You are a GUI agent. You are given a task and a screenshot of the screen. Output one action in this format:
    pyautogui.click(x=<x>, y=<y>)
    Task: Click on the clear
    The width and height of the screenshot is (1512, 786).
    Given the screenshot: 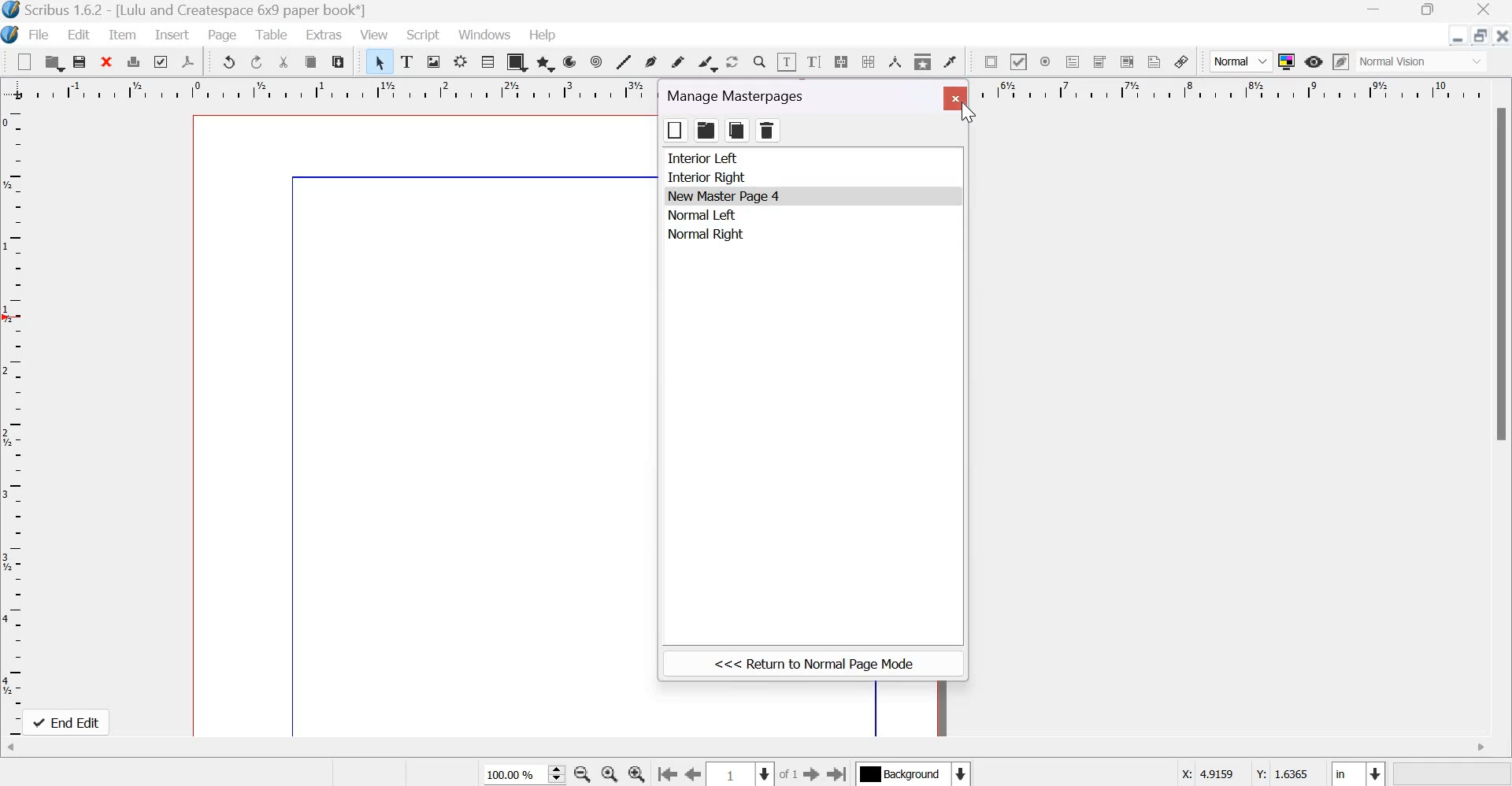 What is the action you would take?
    pyautogui.click(x=106, y=62)
    